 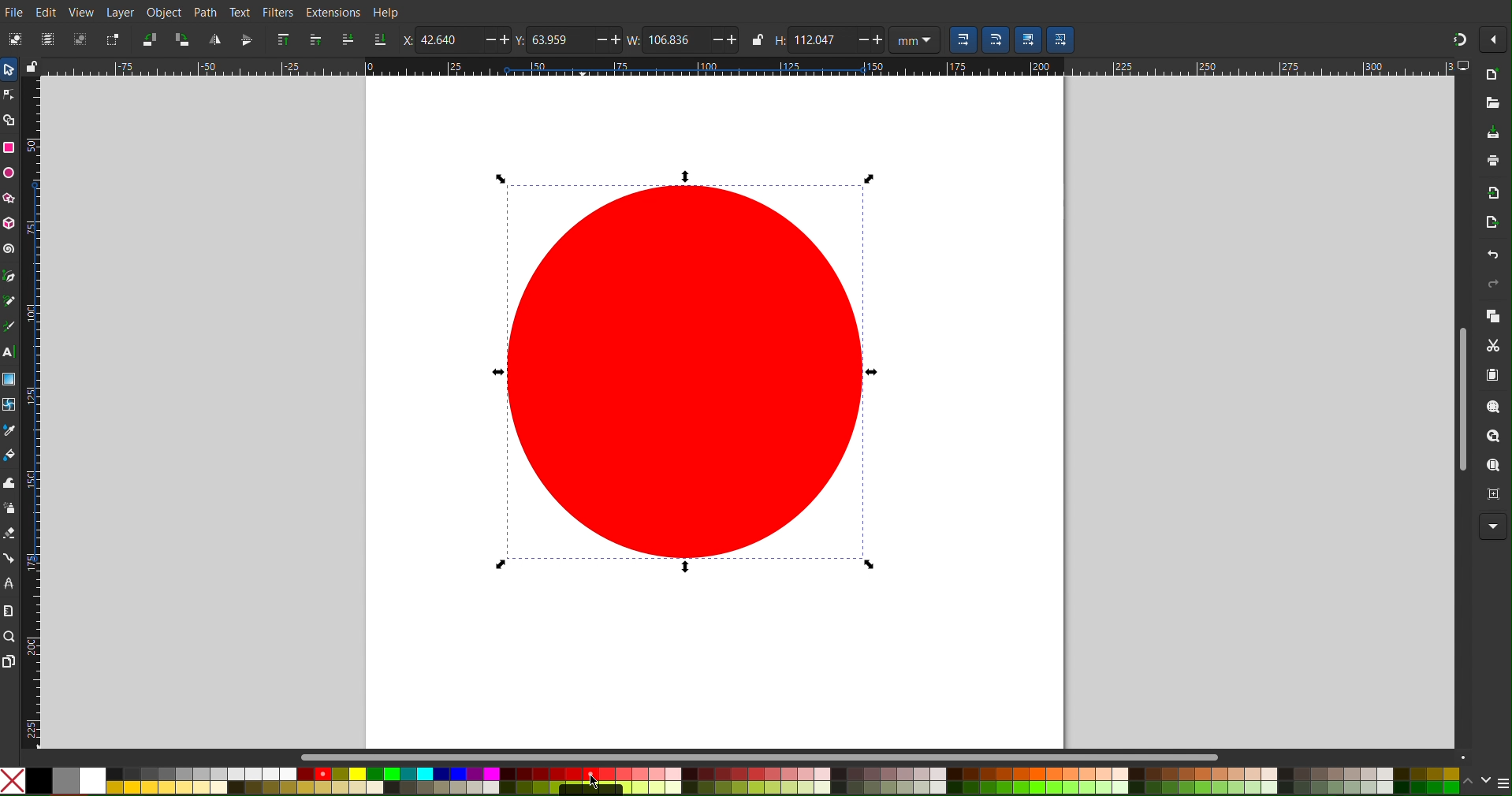 What do you see at coordinates (1494, 378) in the screenshot?
I see `Paste` at bounding box center [1494, 378].